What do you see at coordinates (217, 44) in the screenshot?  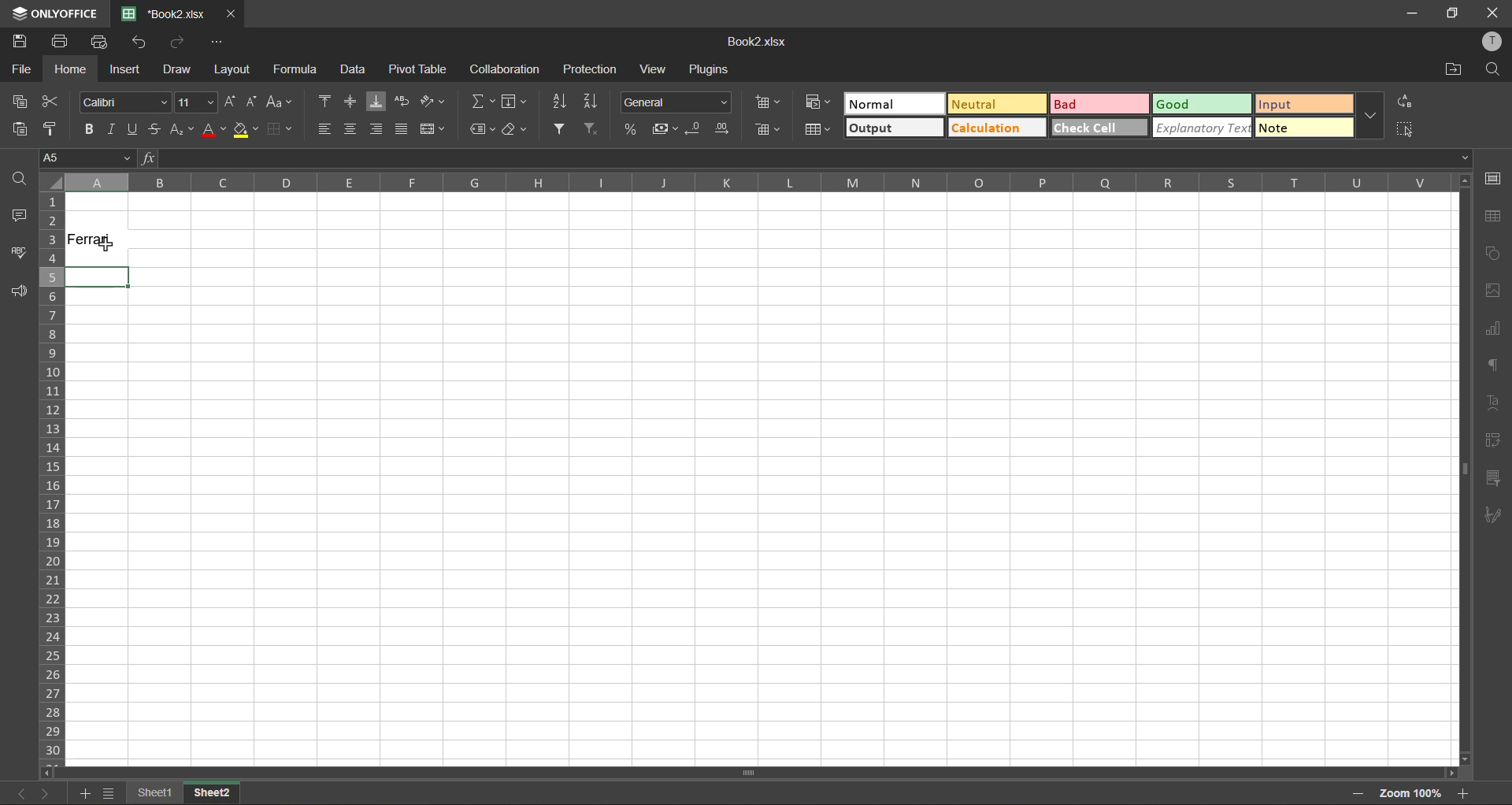 I see `customize quick access toolbar` at bounding box center [217, 44].